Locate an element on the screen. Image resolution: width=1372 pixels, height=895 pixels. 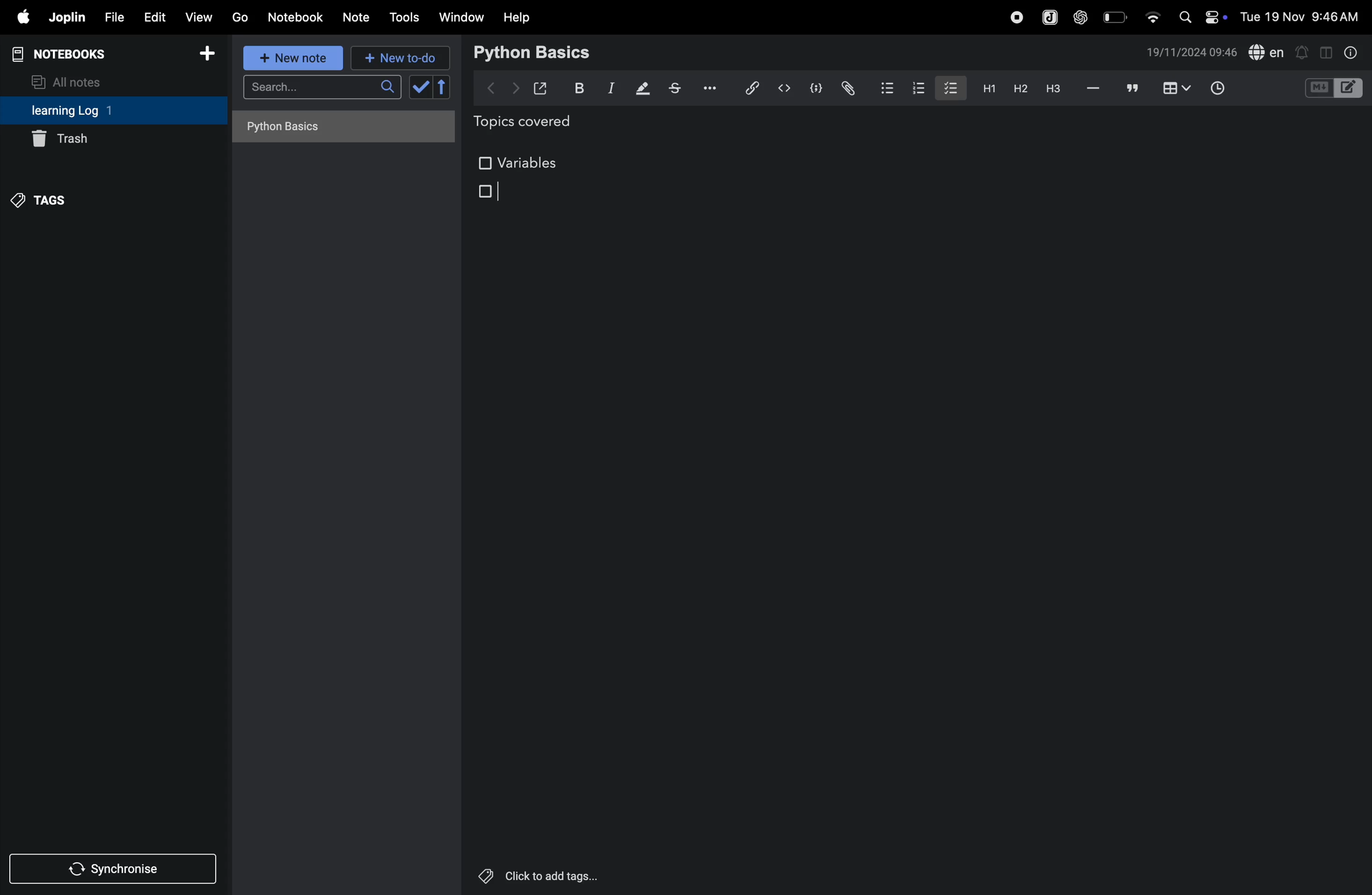
code block is located at coordinates (1333, 89).